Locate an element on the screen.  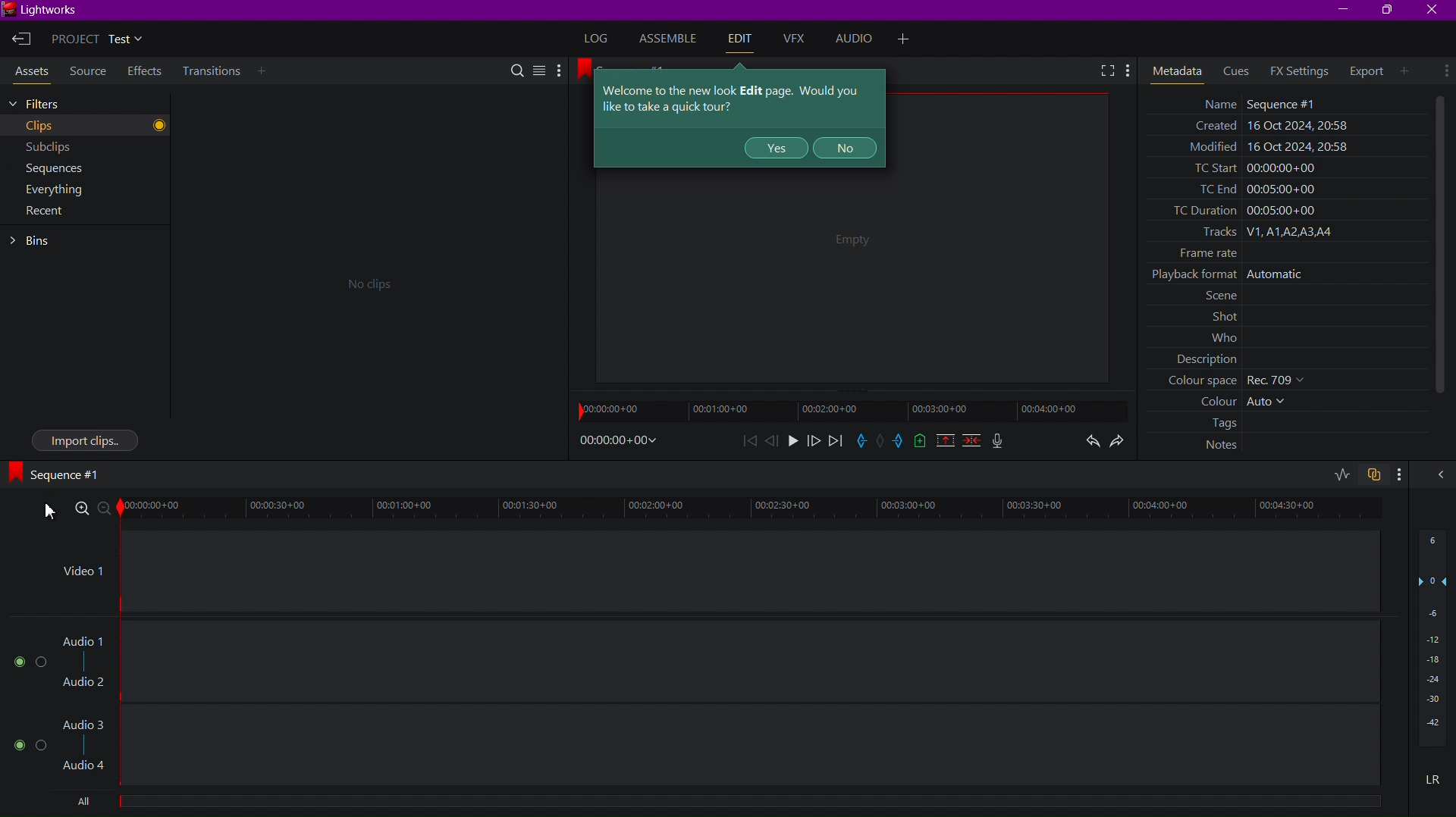
Assets is located at coordinates (30, 72).